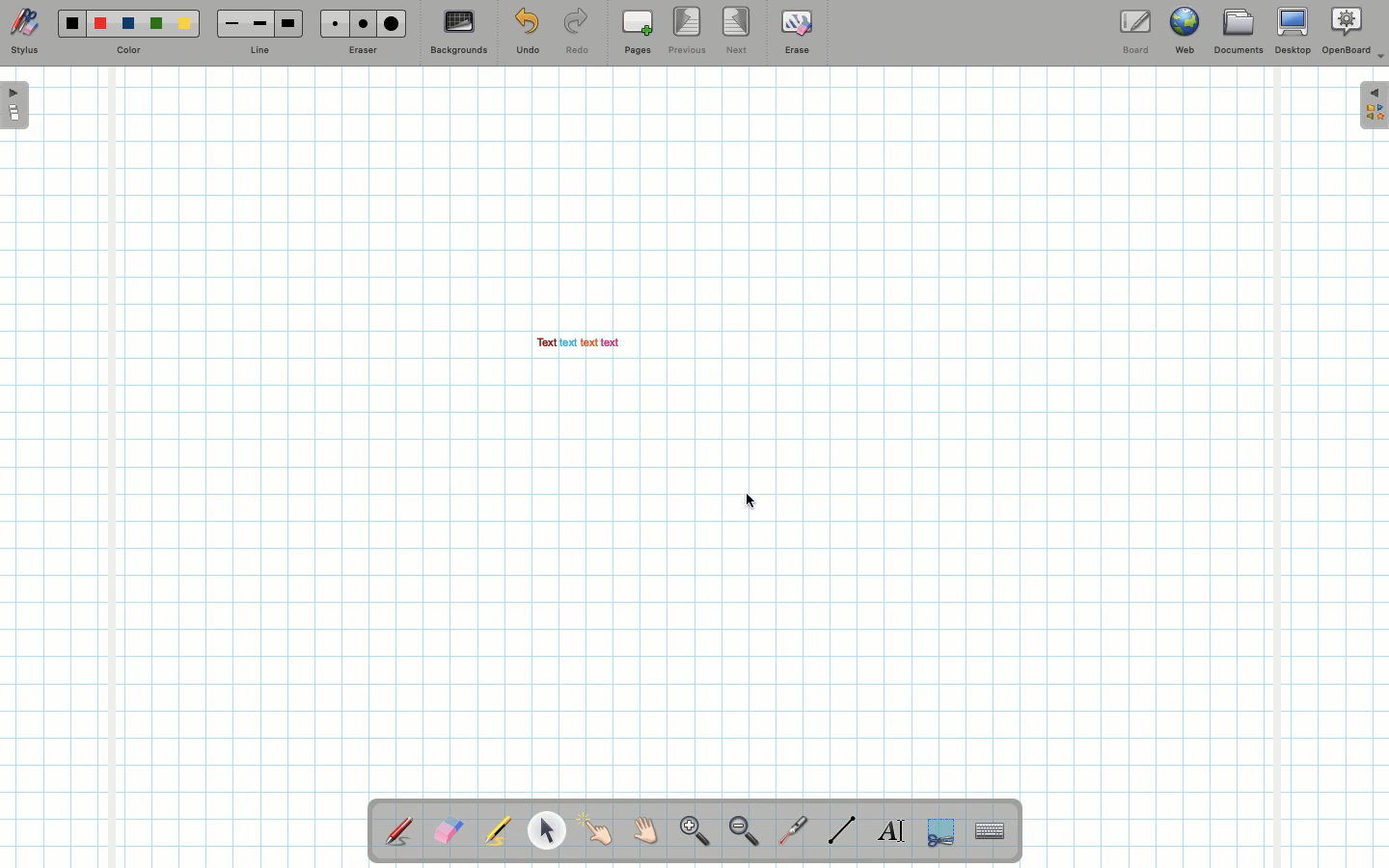  What do you see at coordinates (750, 501) in the screenshot?
I see `cursor` at bounding box center [750, 501].